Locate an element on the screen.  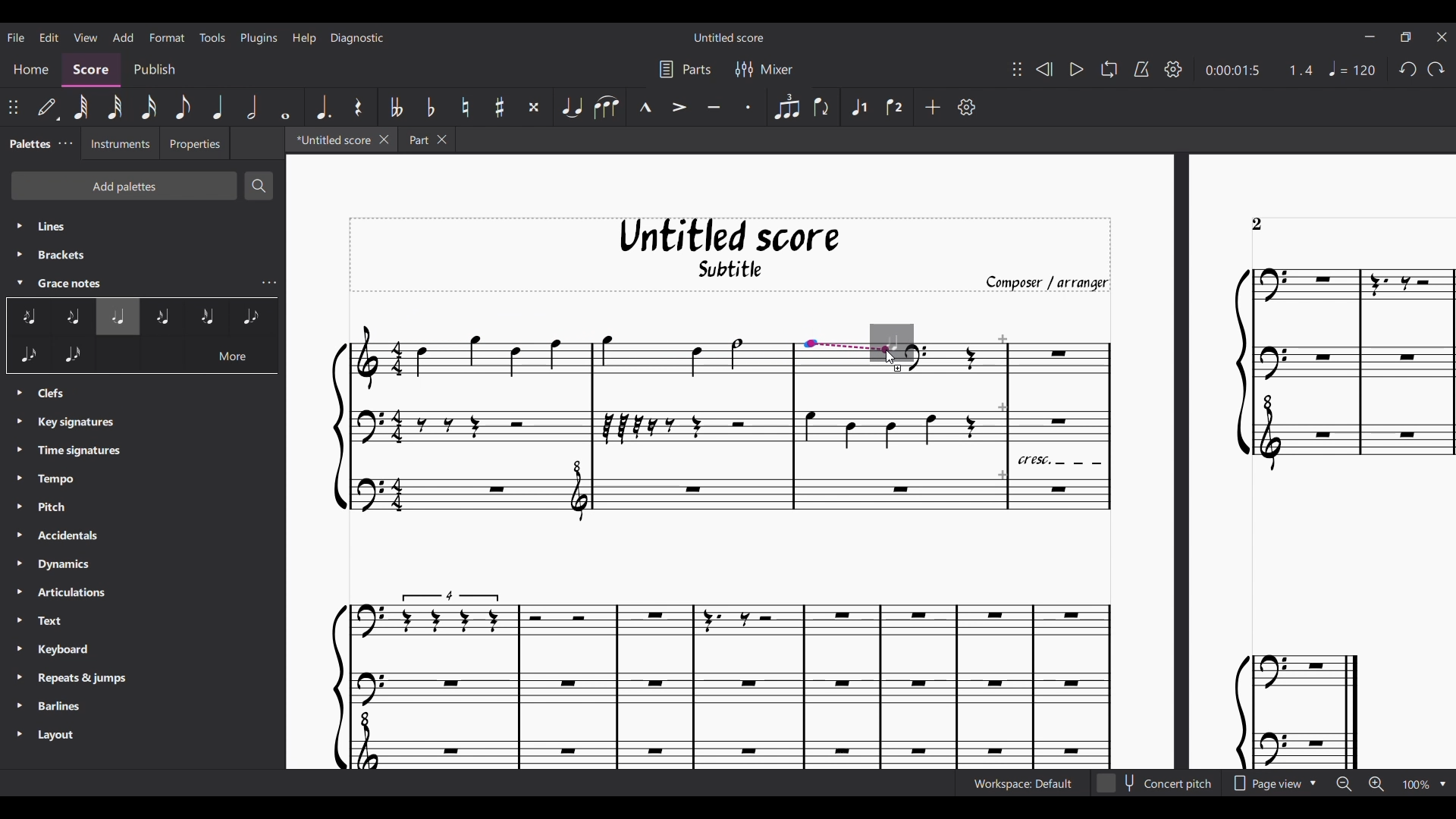
Tempo is located at coordinates (1352, 68).